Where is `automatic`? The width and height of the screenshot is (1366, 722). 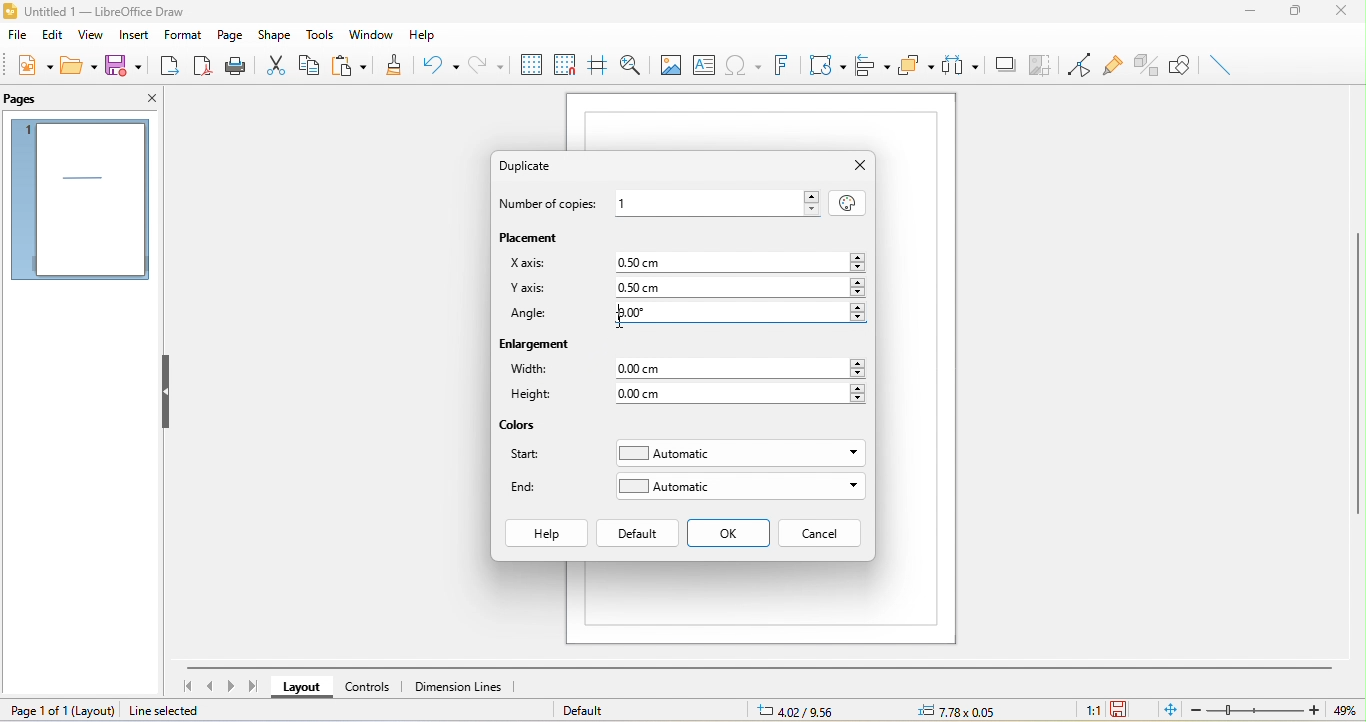 automatic is located at coordinates (740, 486).